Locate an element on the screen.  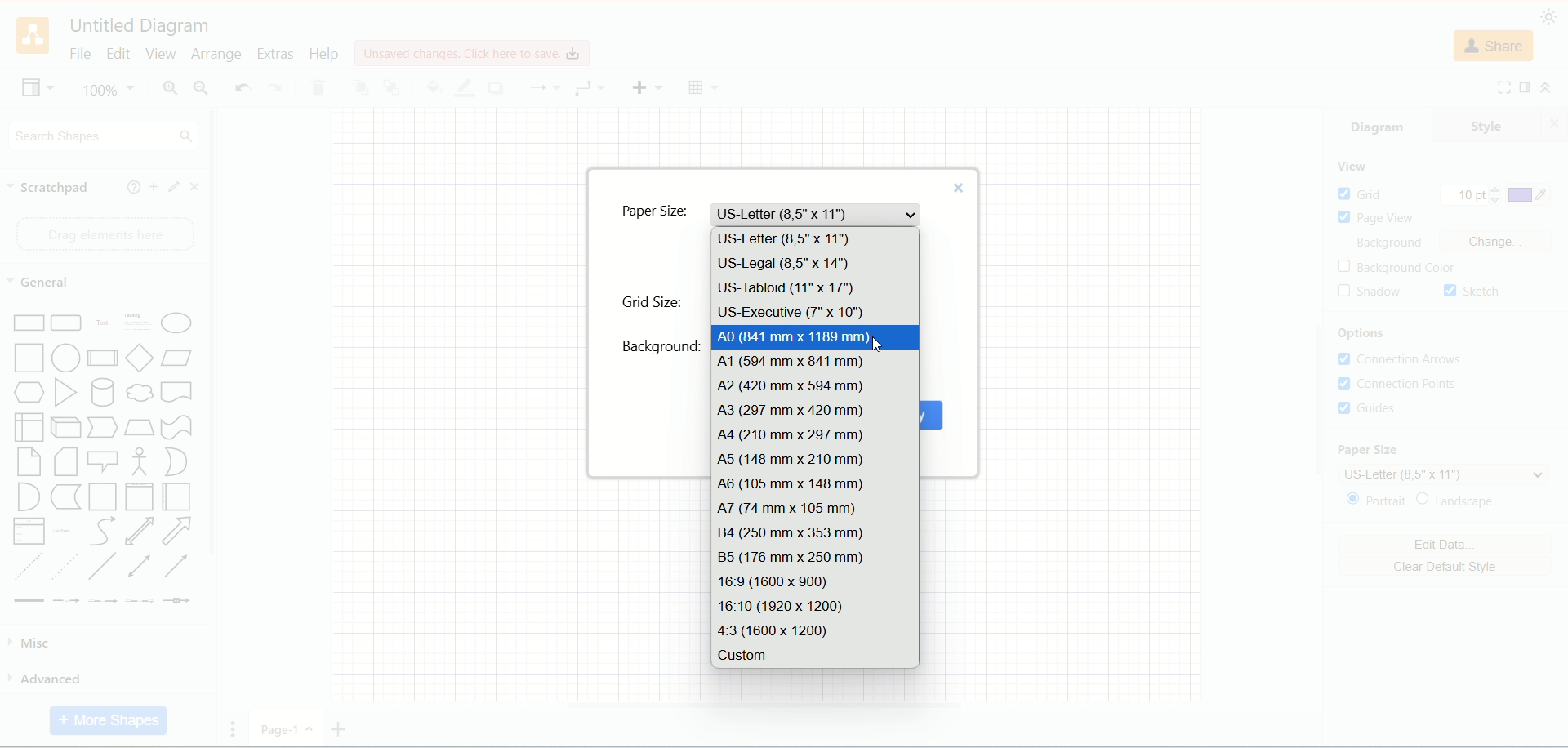
Line is located at coordinates (103, 567).